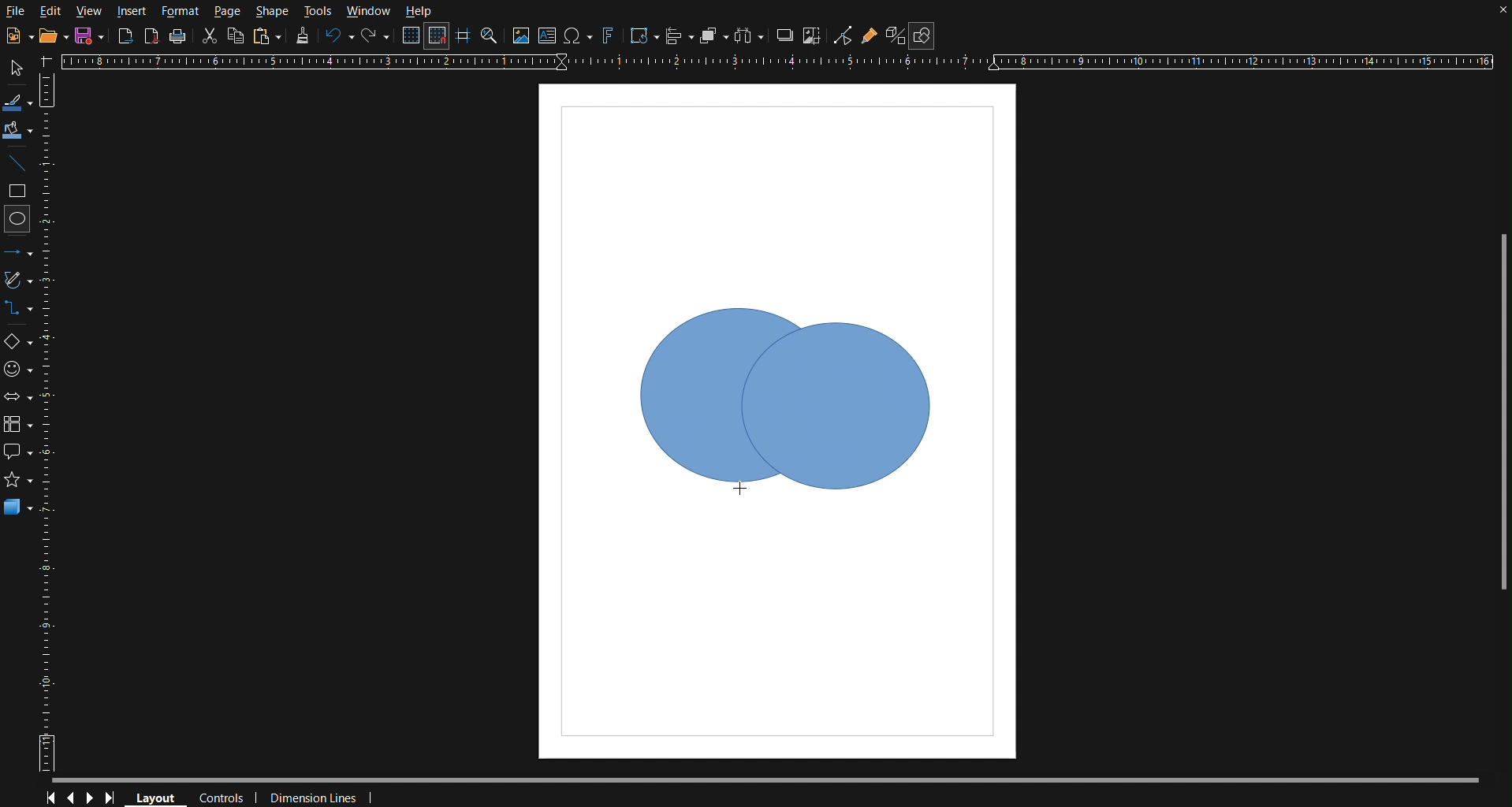  What do you see at coordinates (895, 36) in the screenshot?
I see `Toggle Extrusion` at bounding box center [895, 36].